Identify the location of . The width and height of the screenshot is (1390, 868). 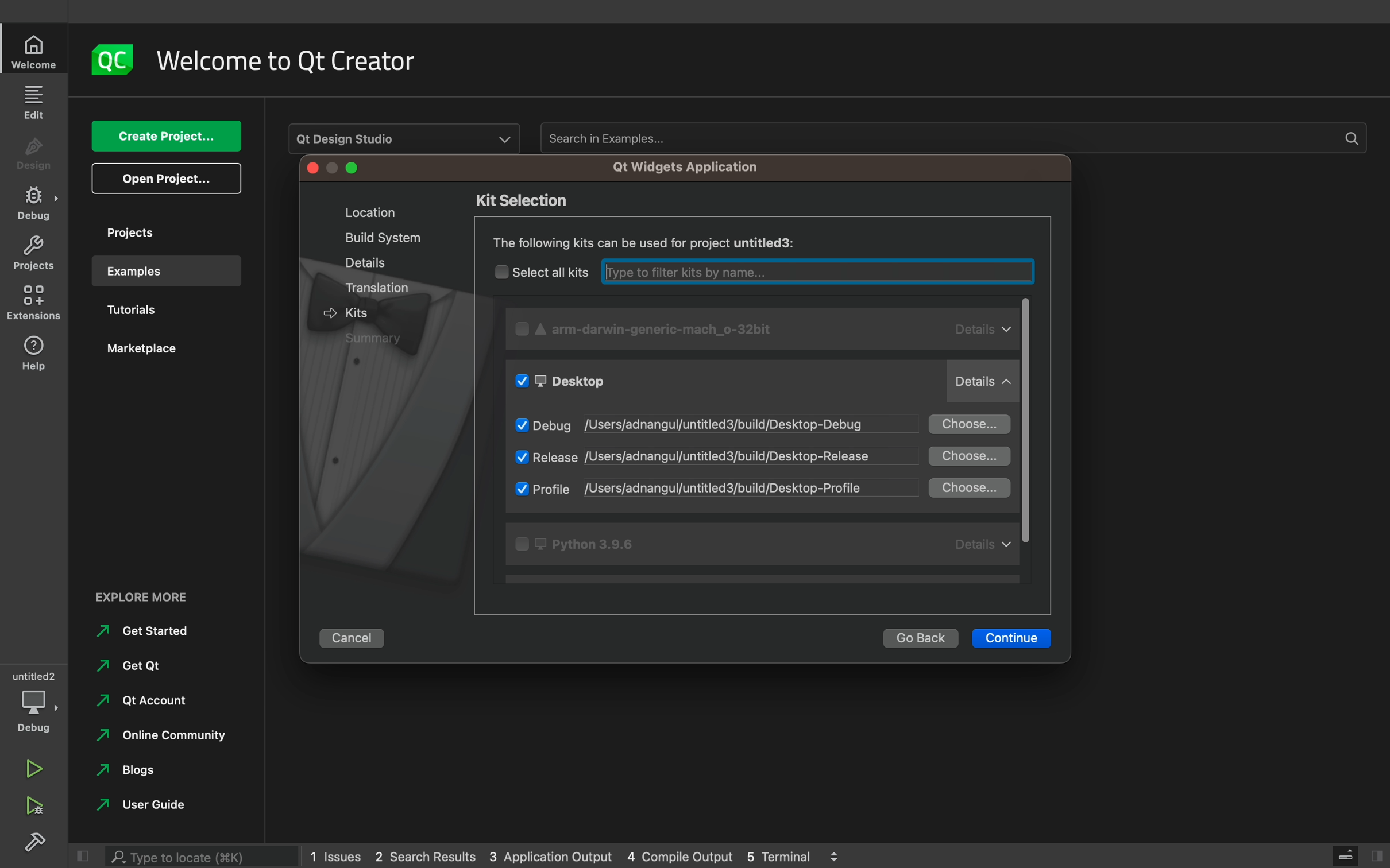
(38, 844).